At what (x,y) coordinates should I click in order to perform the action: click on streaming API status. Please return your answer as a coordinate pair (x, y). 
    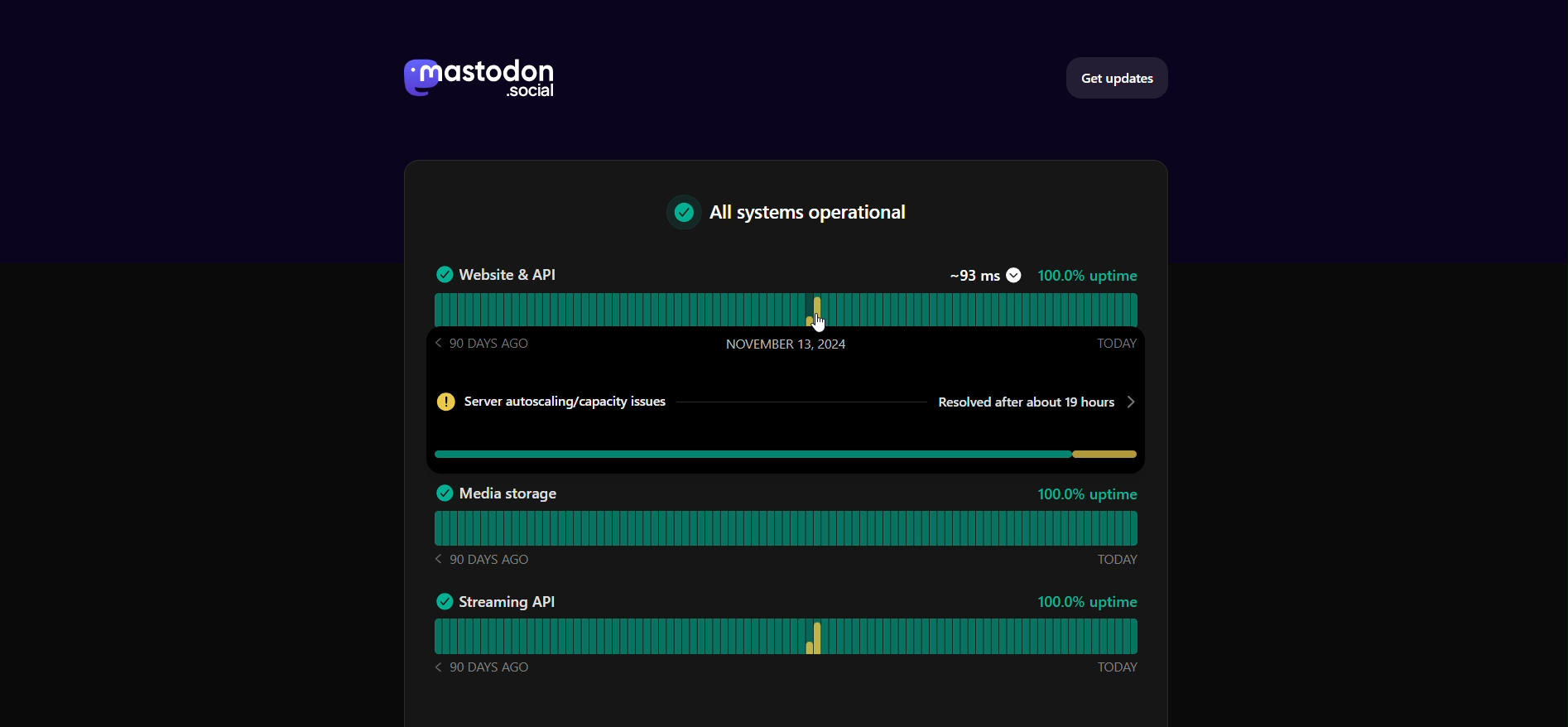
    Looking at the image, I should click on (796, 636).